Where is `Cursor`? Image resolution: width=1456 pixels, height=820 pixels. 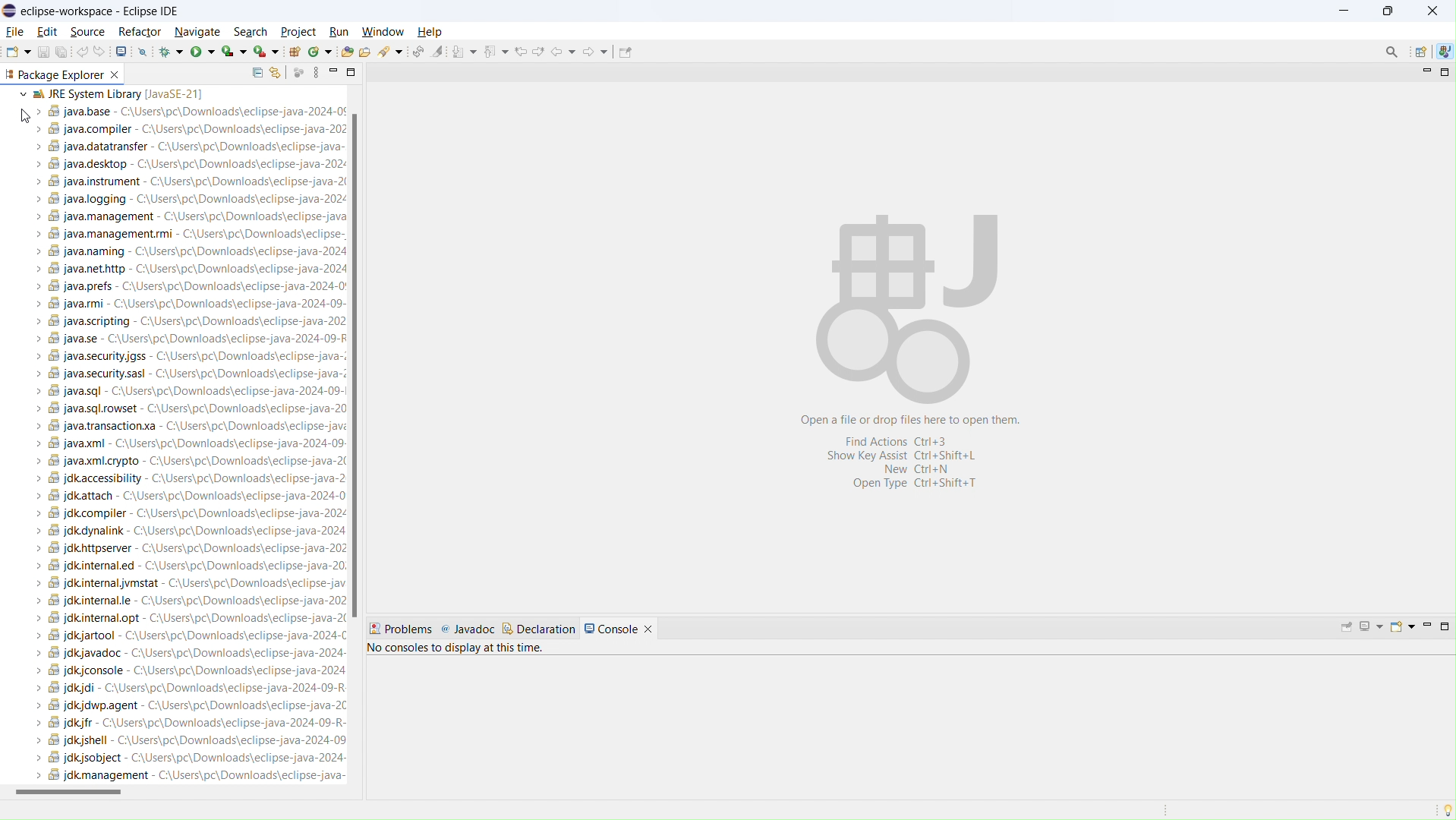
Cursor is located at coordinates (24, 115).